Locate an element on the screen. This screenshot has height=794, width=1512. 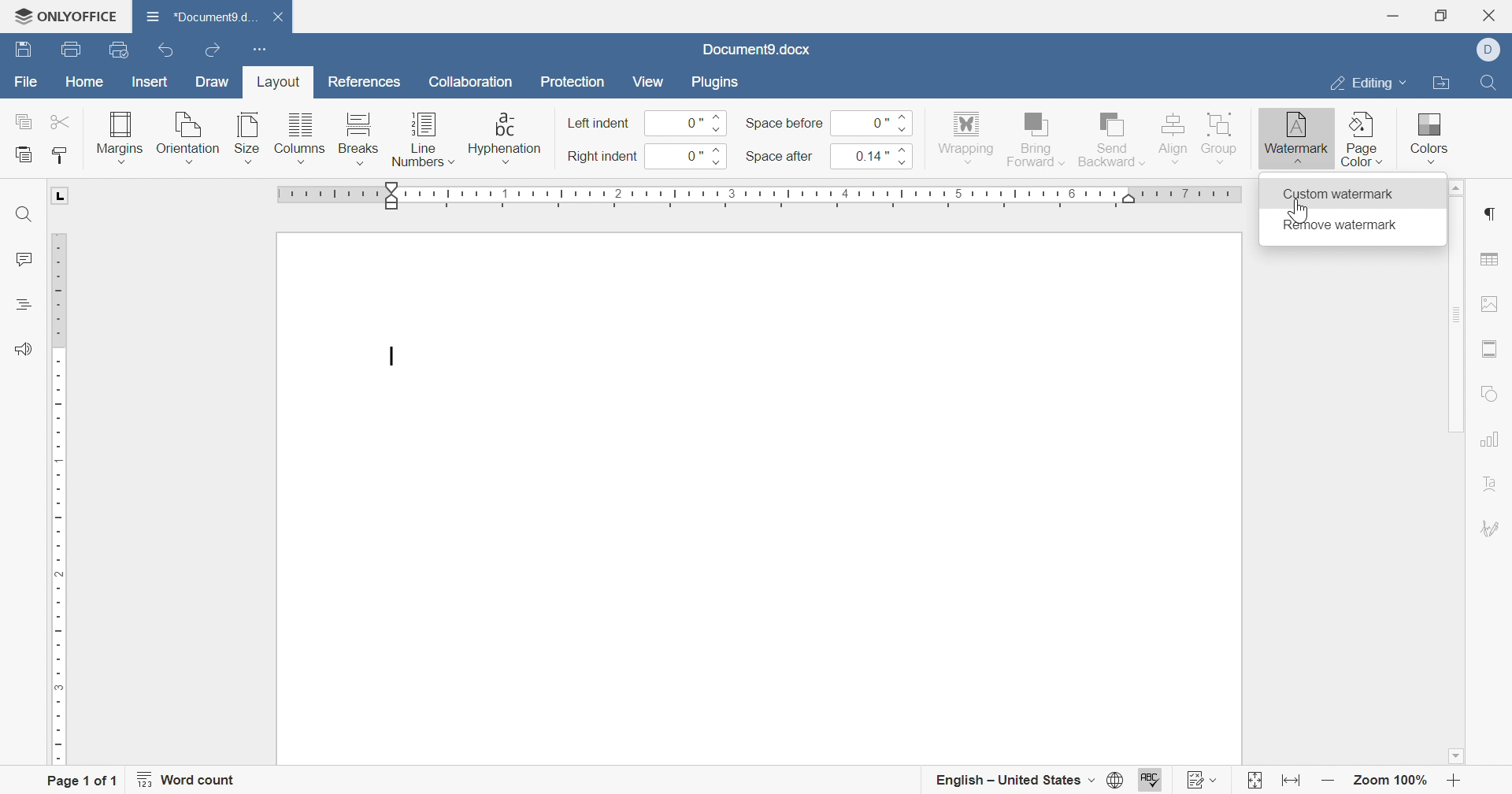
comments is located at coordinates (21, 260).